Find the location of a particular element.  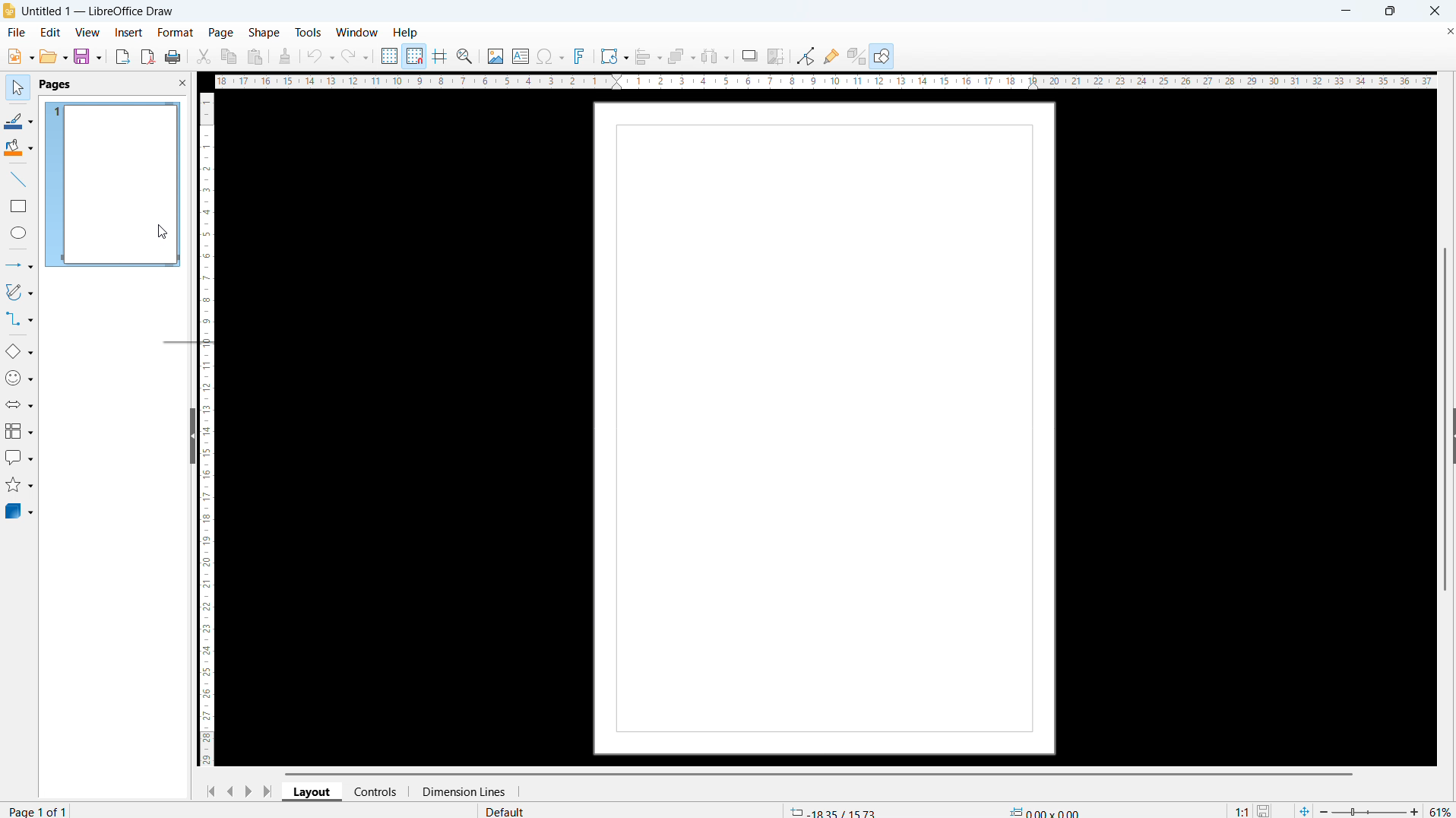

paste is located at coordinates (255, 57).